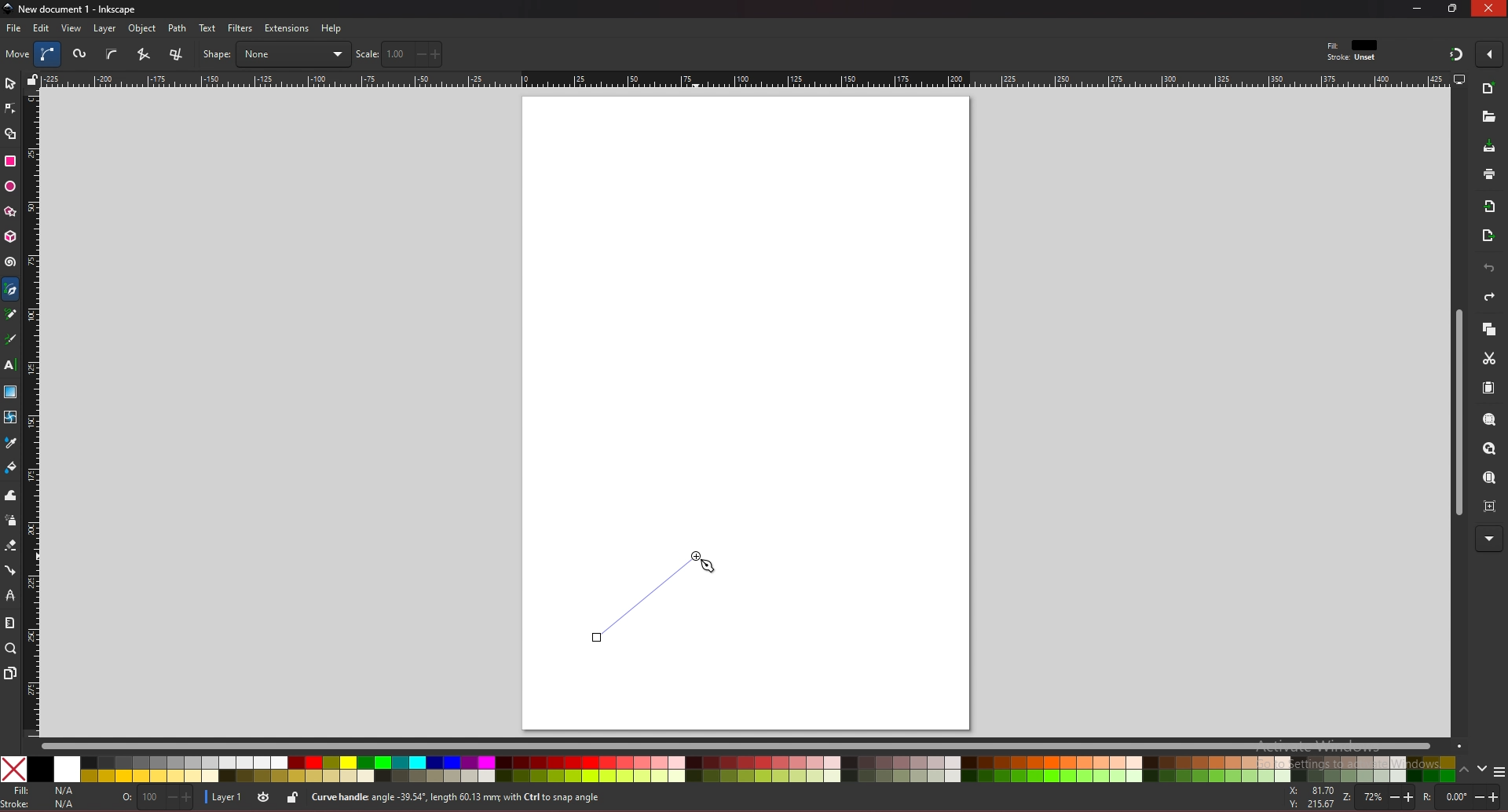  Describe the element at coordinates (104, 28) in the screenshot. I see `layer` at that location.